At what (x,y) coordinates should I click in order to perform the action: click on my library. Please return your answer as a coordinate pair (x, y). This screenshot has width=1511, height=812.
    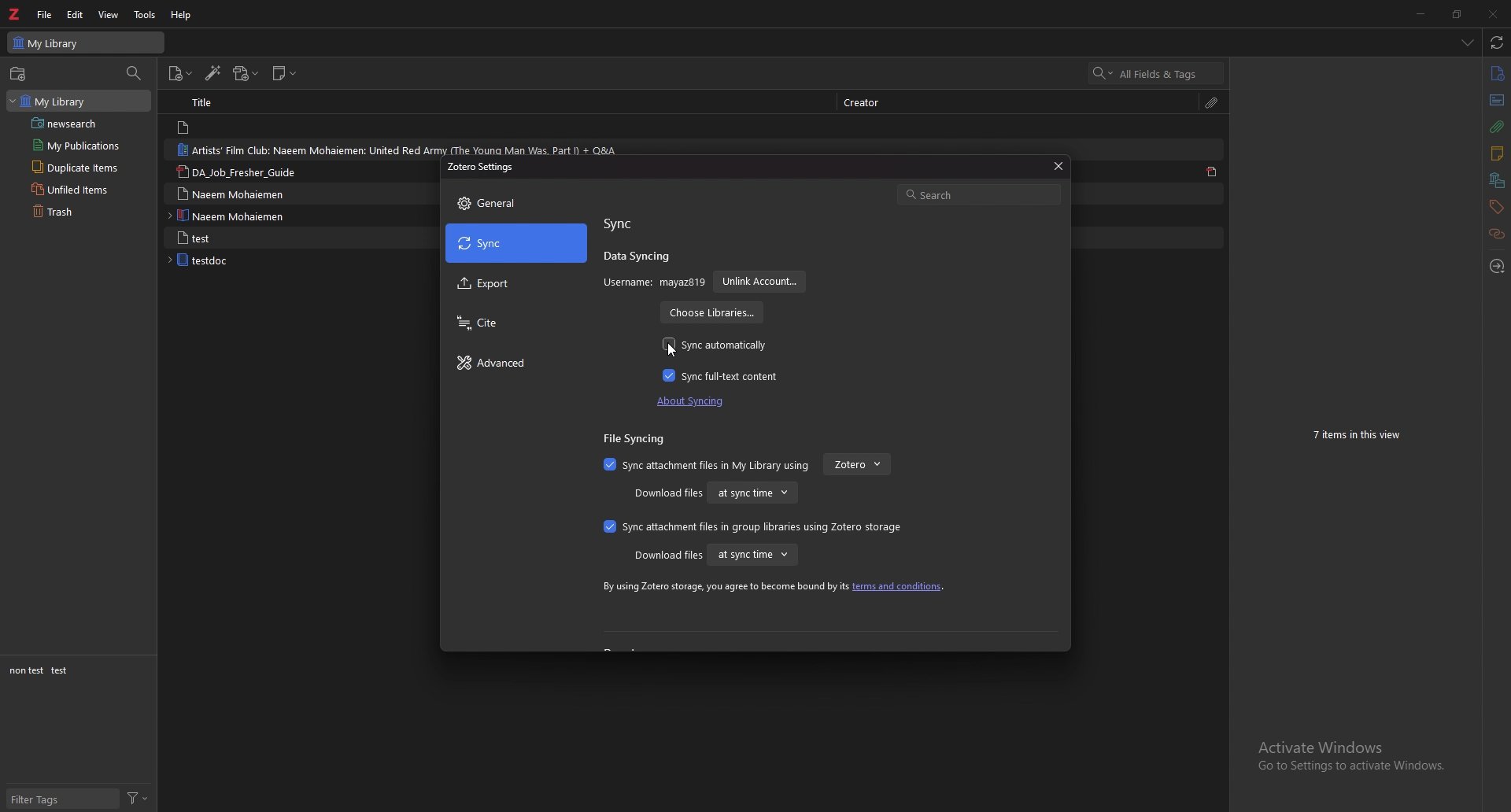
    Looking at the image, I should click on (79, 101).